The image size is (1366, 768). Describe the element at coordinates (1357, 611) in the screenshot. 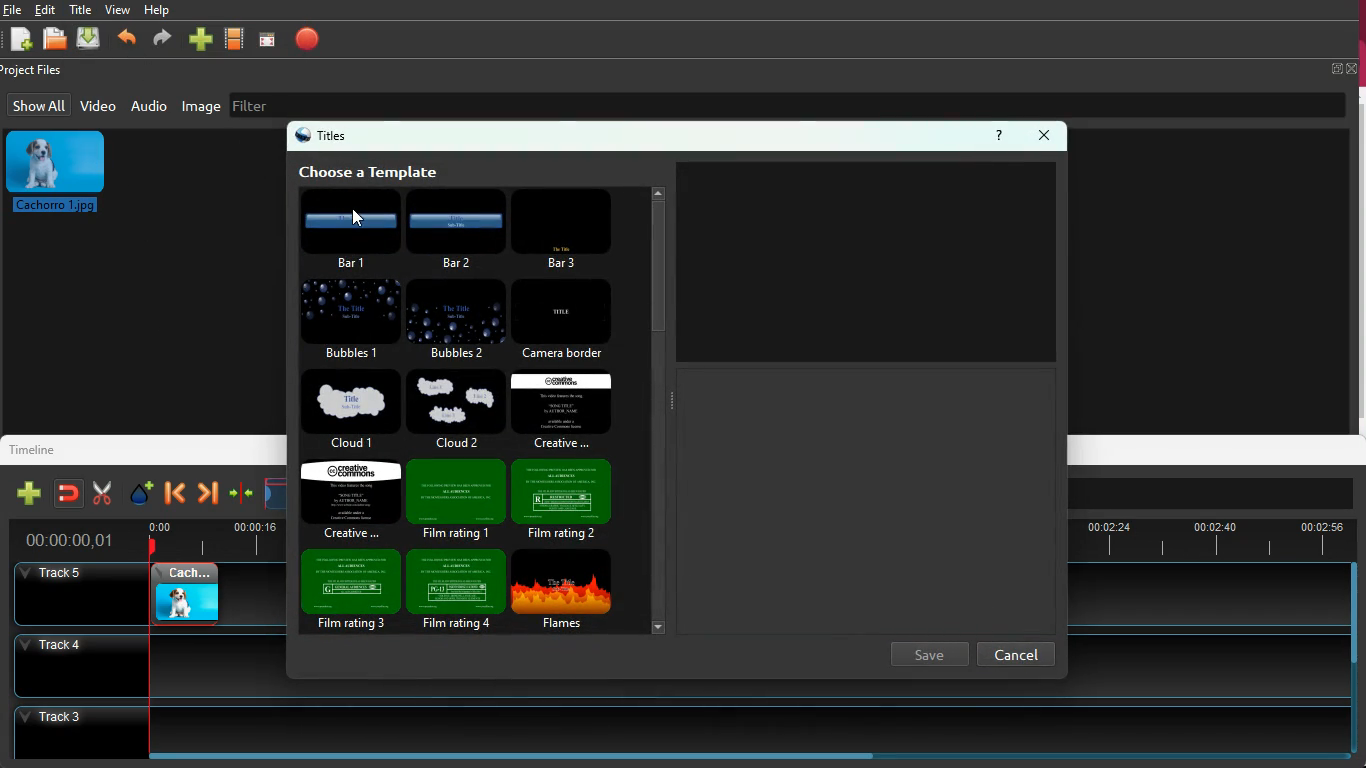

I see `vertical scroll bar` at that location.